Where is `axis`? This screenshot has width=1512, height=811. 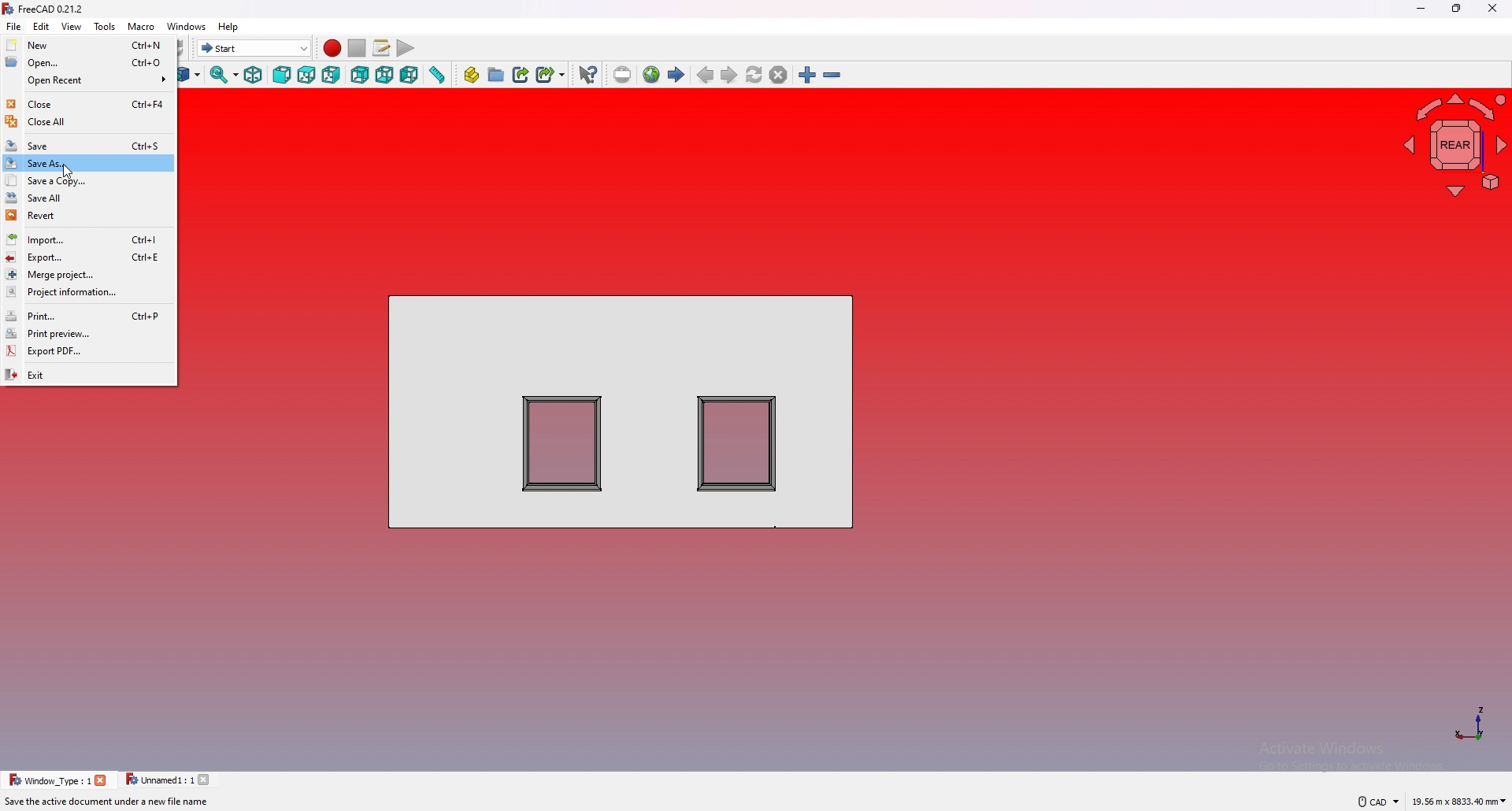 axis is located at coordinates (1469, 723).